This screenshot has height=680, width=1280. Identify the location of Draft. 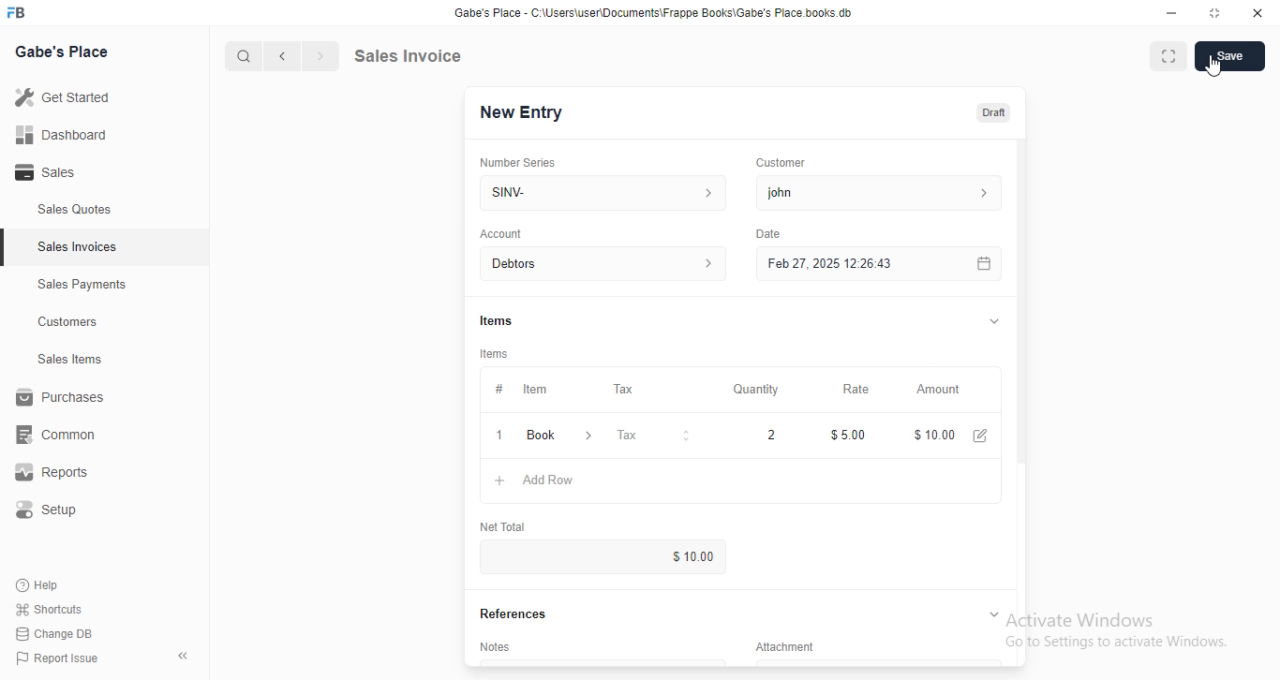
(995, 113).